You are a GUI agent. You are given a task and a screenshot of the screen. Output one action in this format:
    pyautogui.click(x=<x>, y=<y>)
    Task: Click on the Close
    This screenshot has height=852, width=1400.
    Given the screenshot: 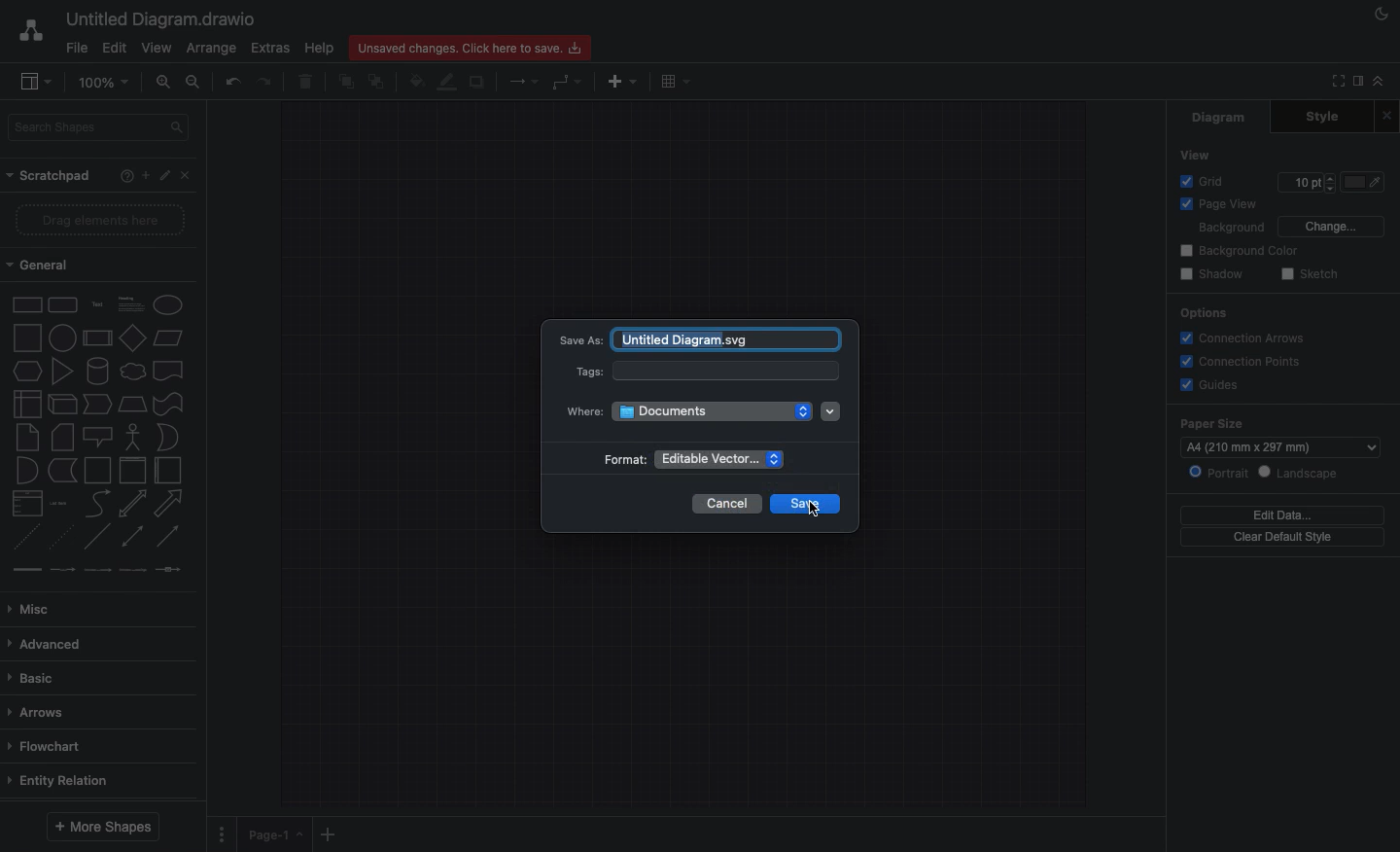 What is the action you would take?
    pyautogui.click(x=187, y=175)
    